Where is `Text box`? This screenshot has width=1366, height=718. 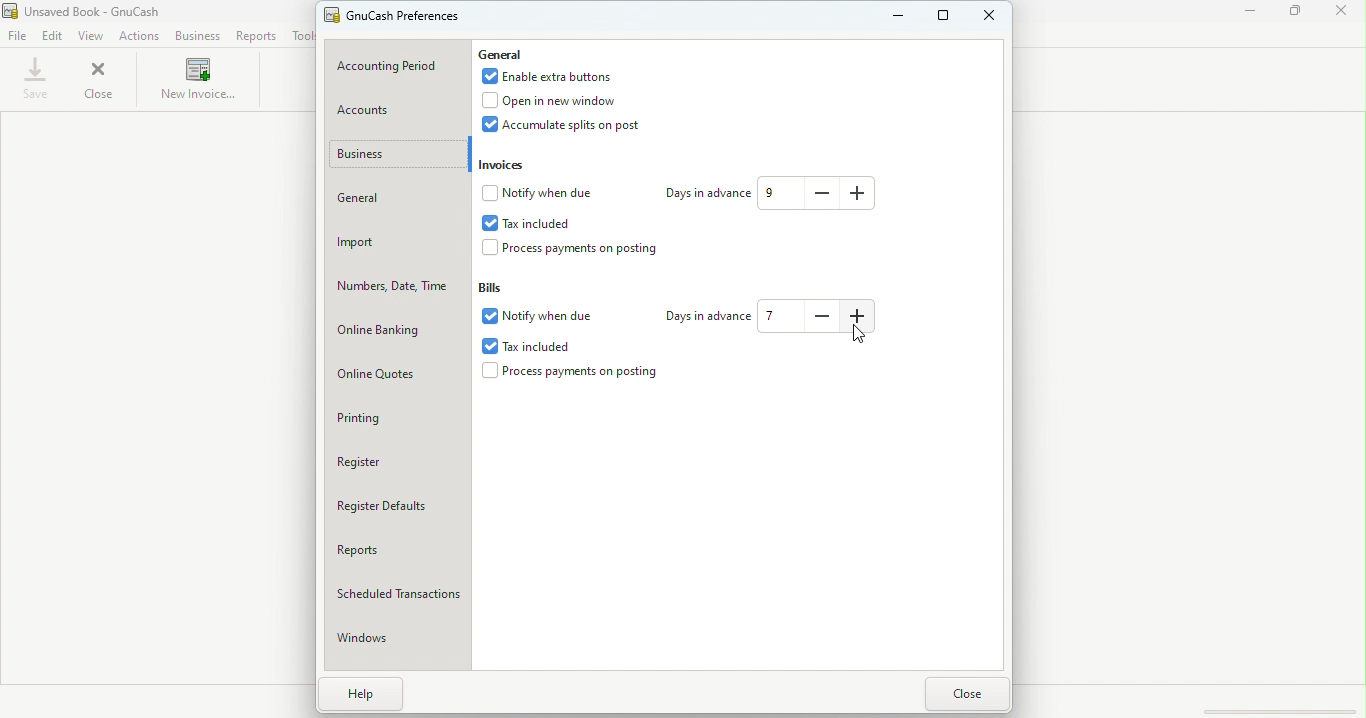
Text box is located at coordinates (779, 193).